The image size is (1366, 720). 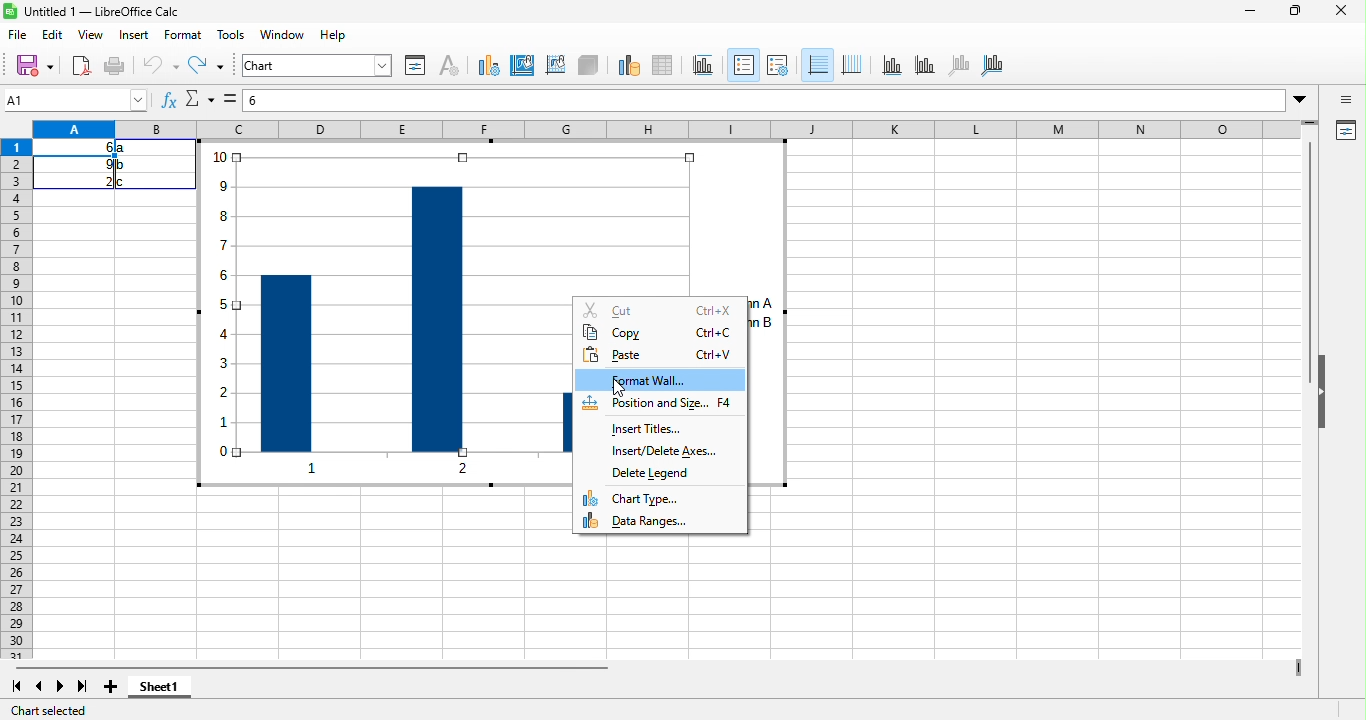 I want to click on select function, so click(x=198, y=99).